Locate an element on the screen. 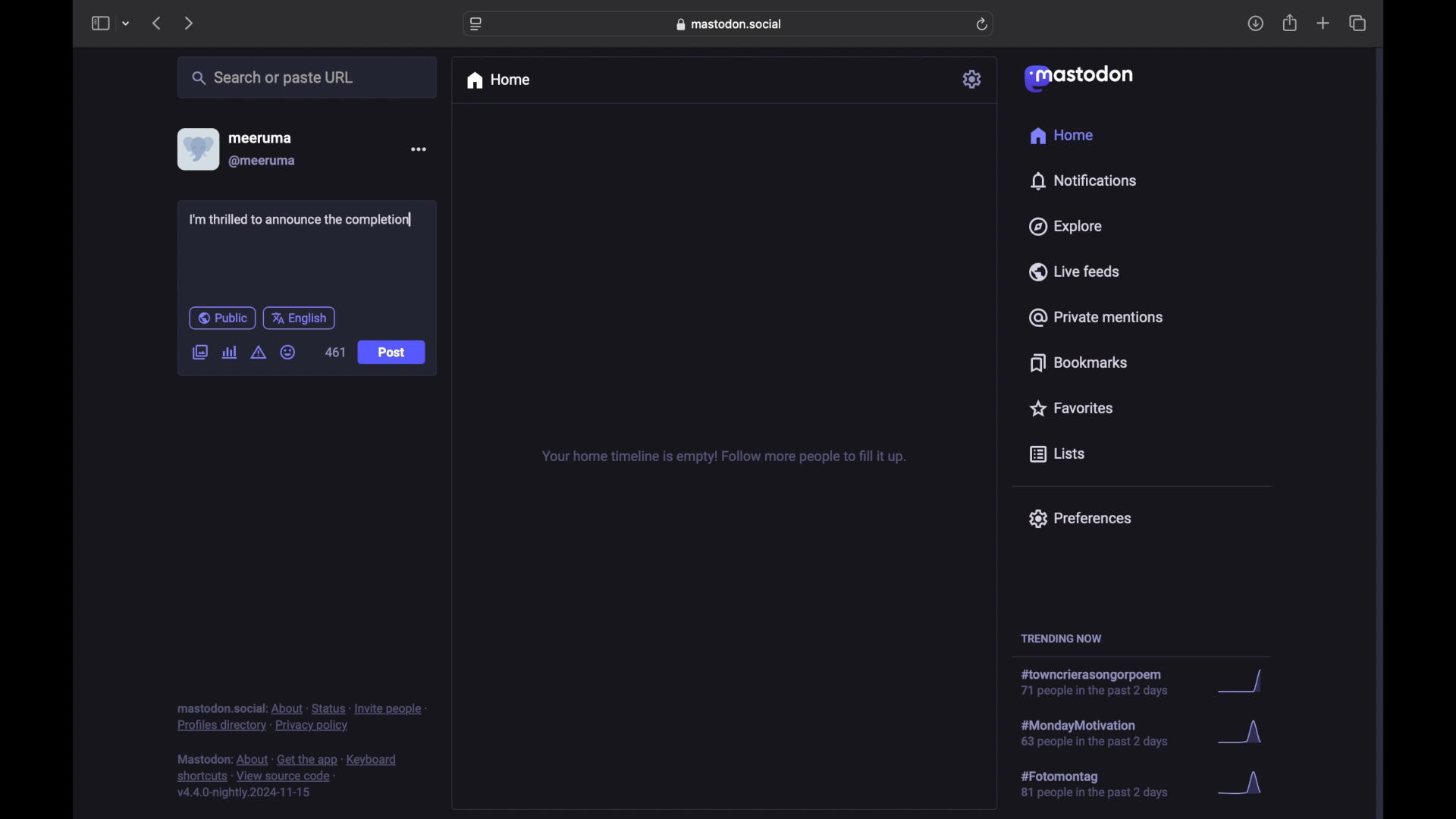  @meeruma is located at coordinates (264, 162).